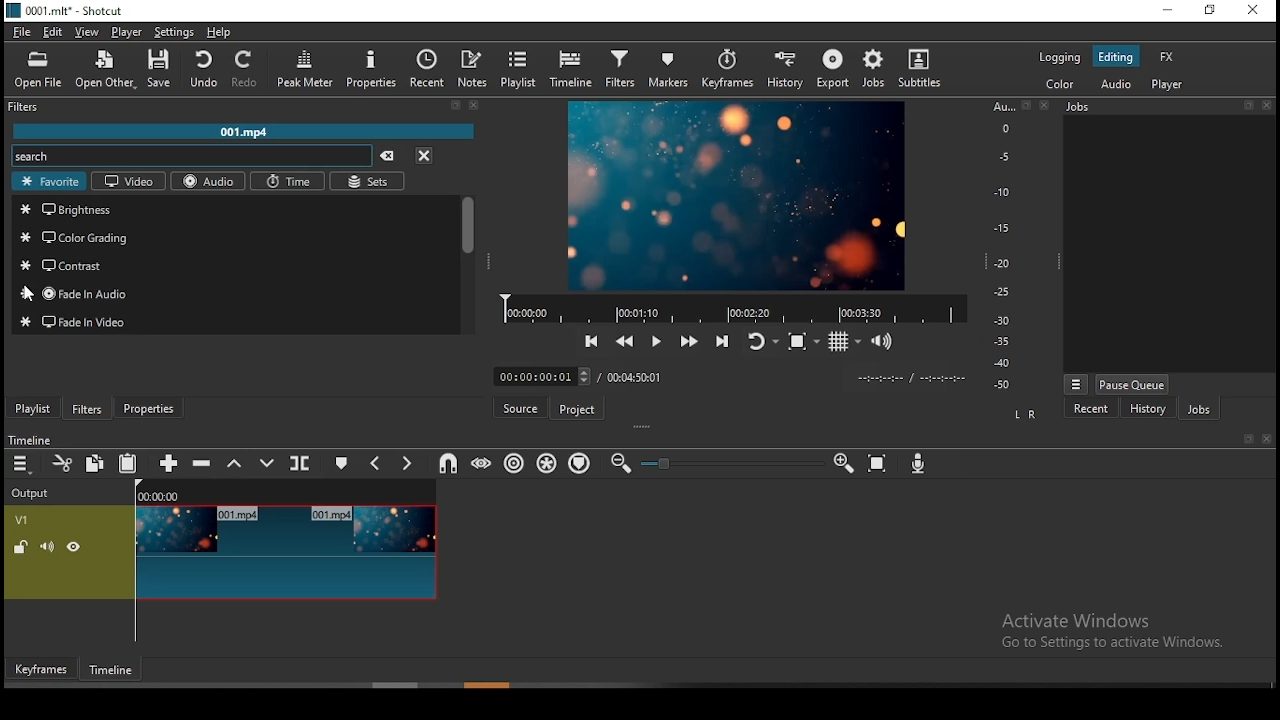 Image resolution: width=1280 pixels, height=720 pixels. I want to click on timeframe, so click(111, 670).